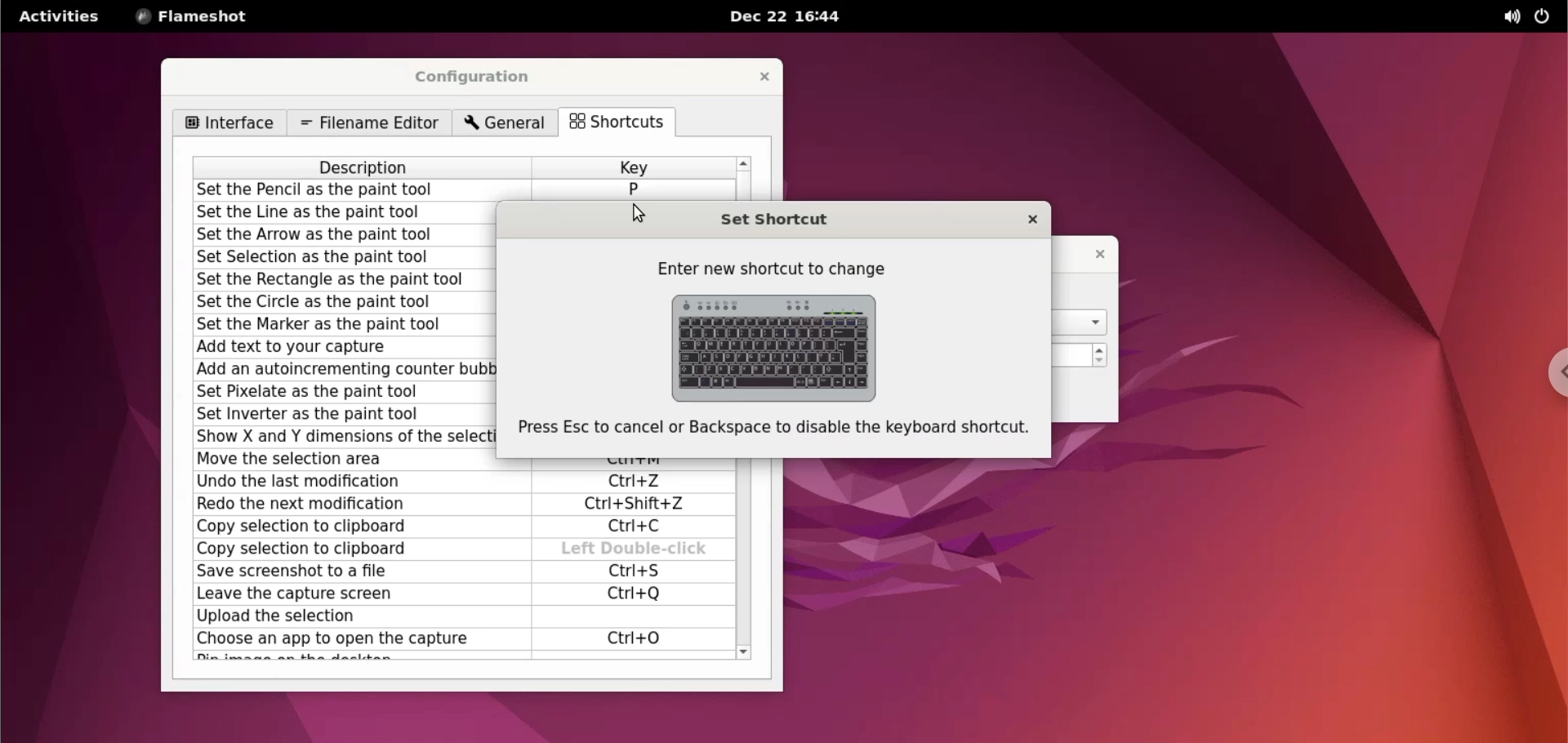 This screenshot has width=1568, height=743. Describe the element at coordinates (354, 506) in the screenshot. I see `redo the next modification` at that location.